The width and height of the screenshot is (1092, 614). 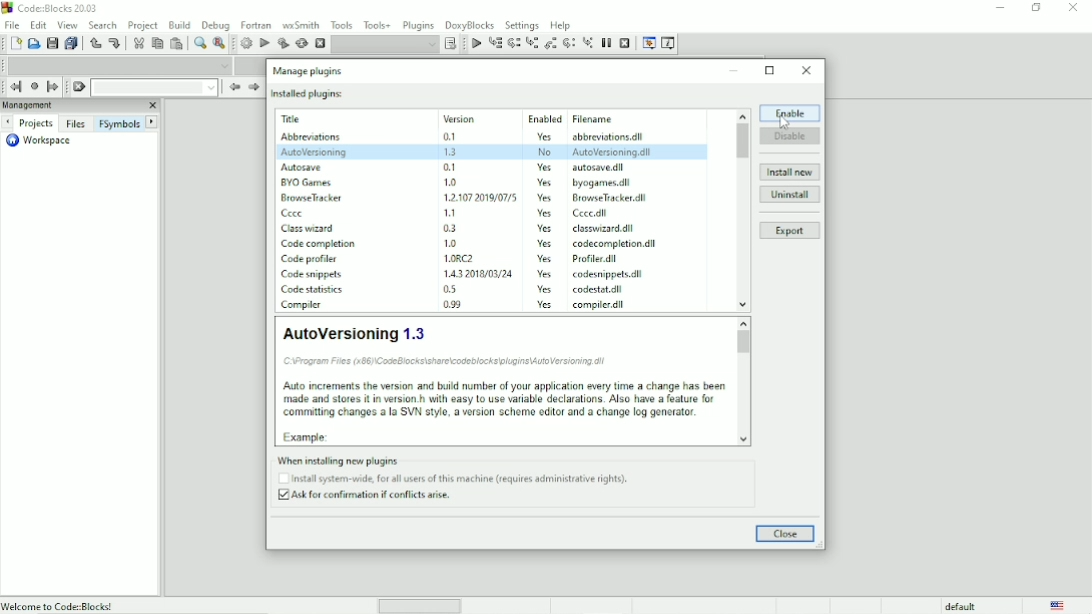 What do you see at coordinates (36, 123) in the screenshot?
I see `Projects` at bounding box center [36, 123].